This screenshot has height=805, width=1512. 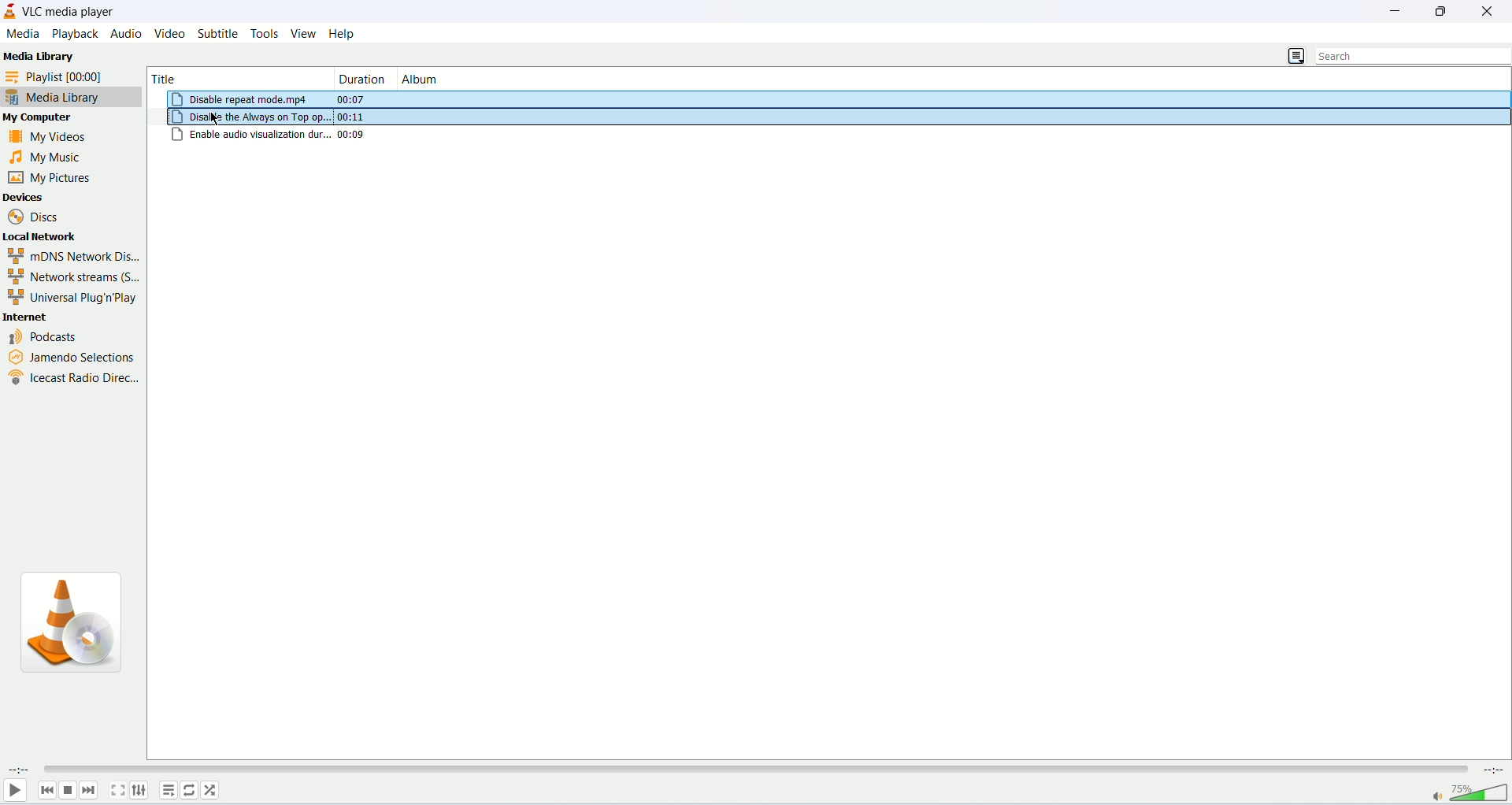 I want to click on my pictures, so click(x=50, y=177).